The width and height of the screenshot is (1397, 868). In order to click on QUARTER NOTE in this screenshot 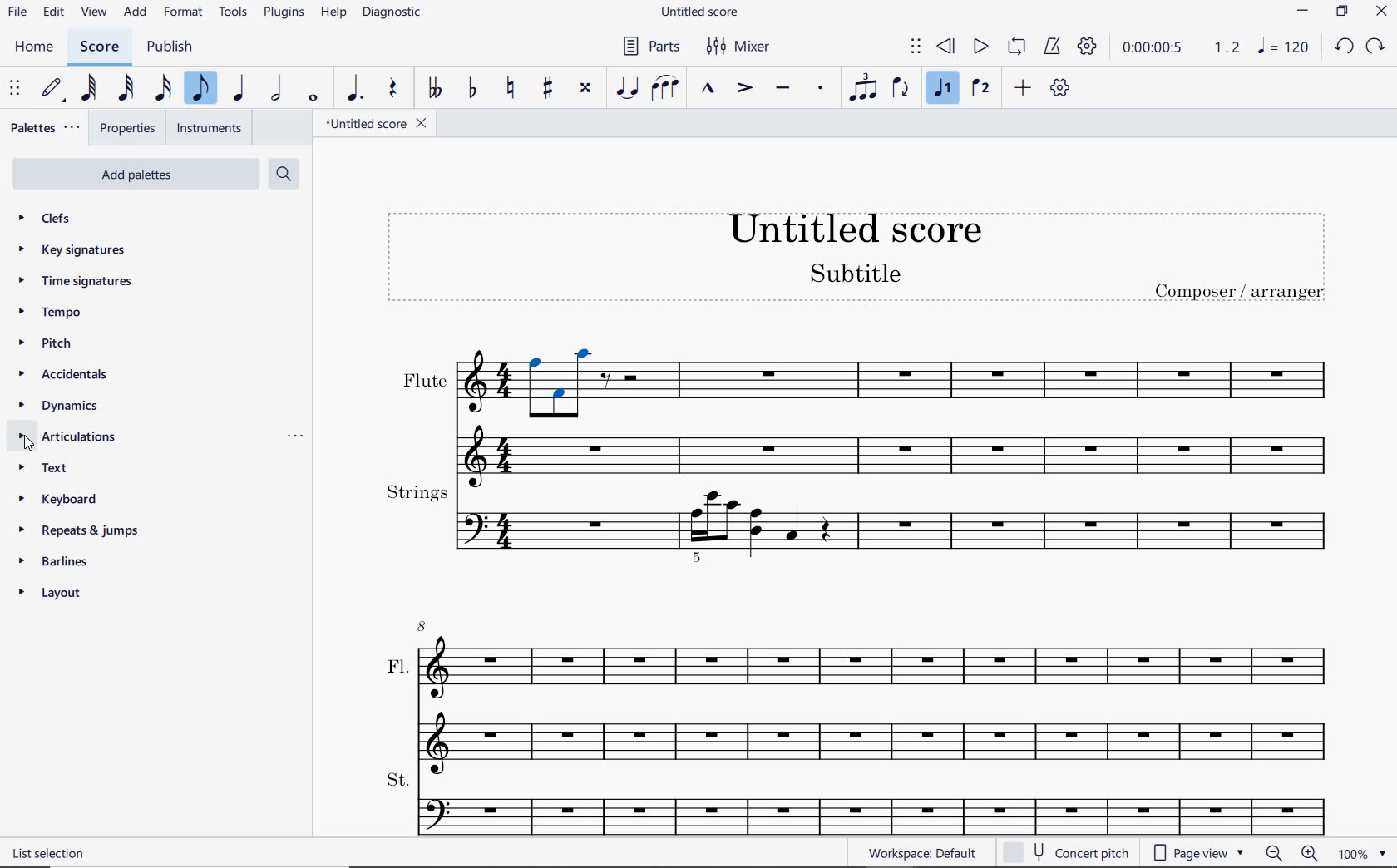, I will do `click(239, 91)`.